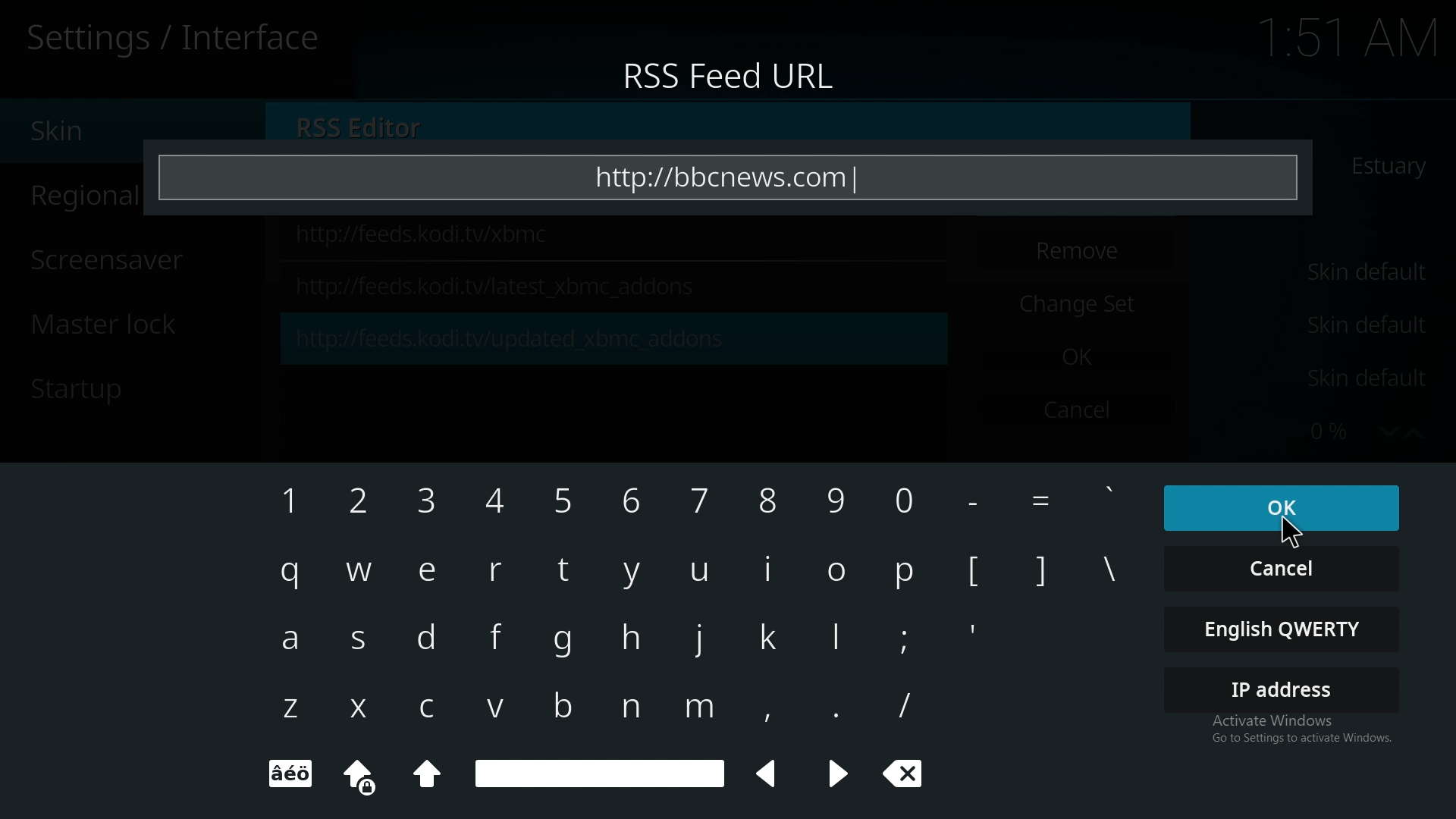 This screenshot has width=1456, height=819. I want to click on keyboard Input, so click(698, 637).